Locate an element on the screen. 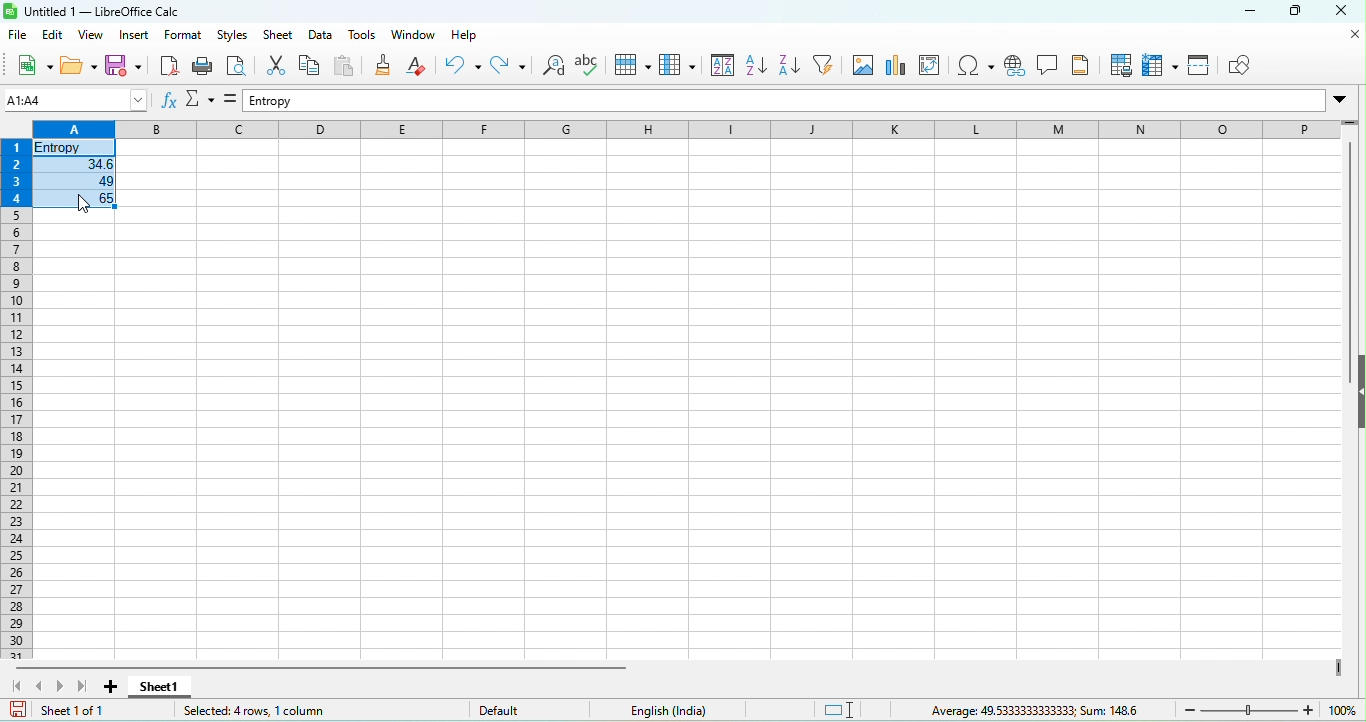 The image size is (1366, 722). hyperlink is located at coordinates (1016, 68).